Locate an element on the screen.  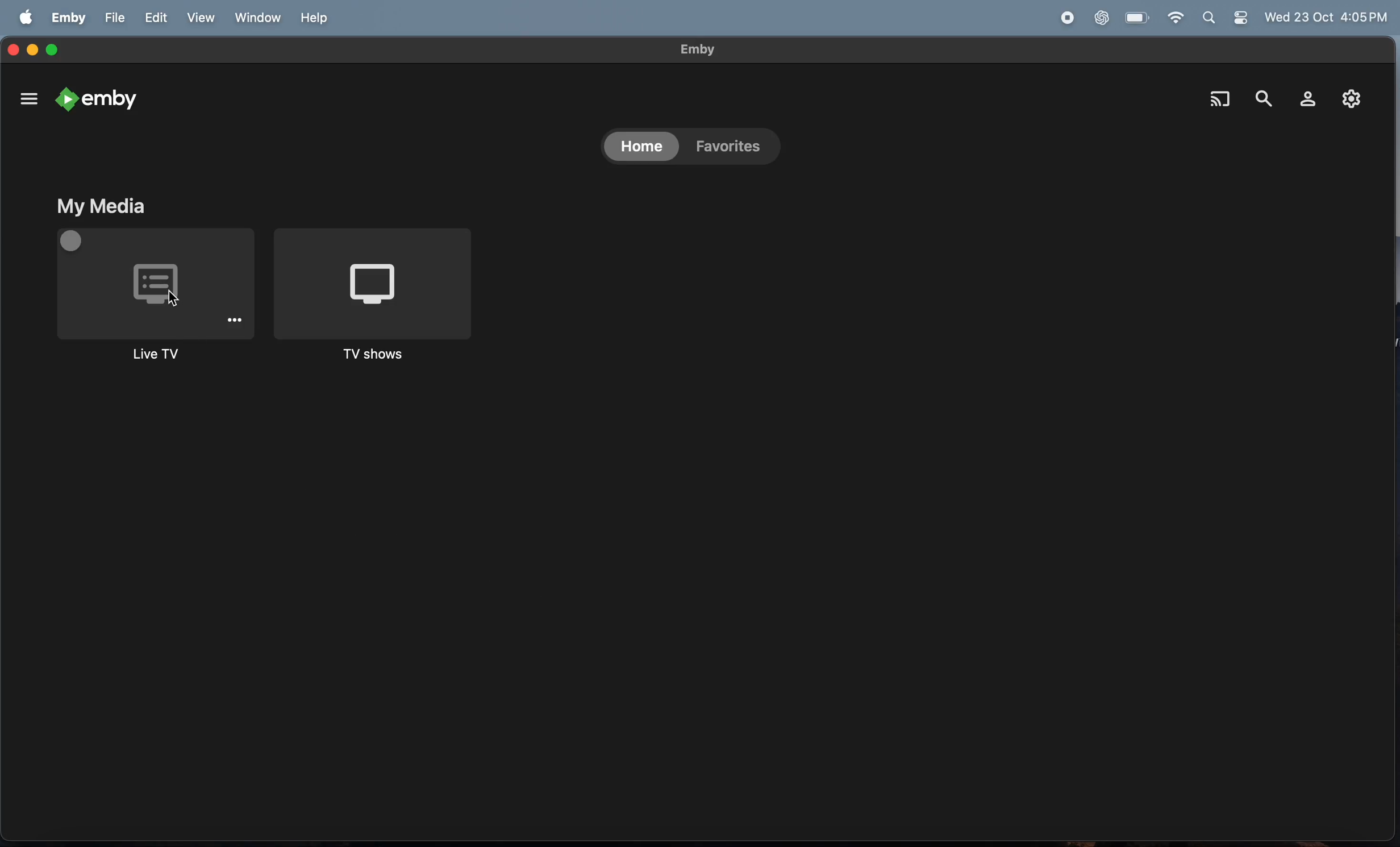
chat gpt is located at coordinates (1103, 17).